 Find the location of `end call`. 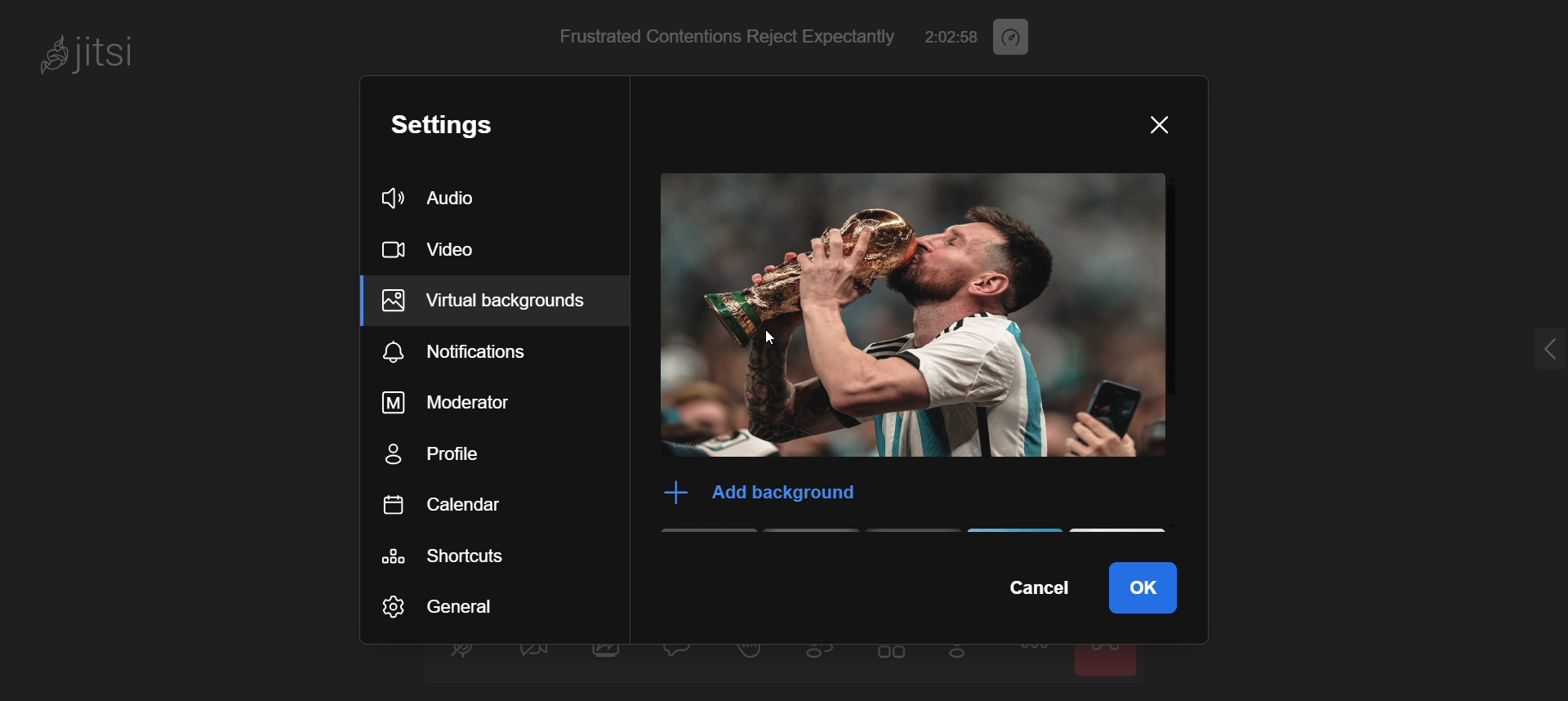

end call is located at coordinates (1108, 659).